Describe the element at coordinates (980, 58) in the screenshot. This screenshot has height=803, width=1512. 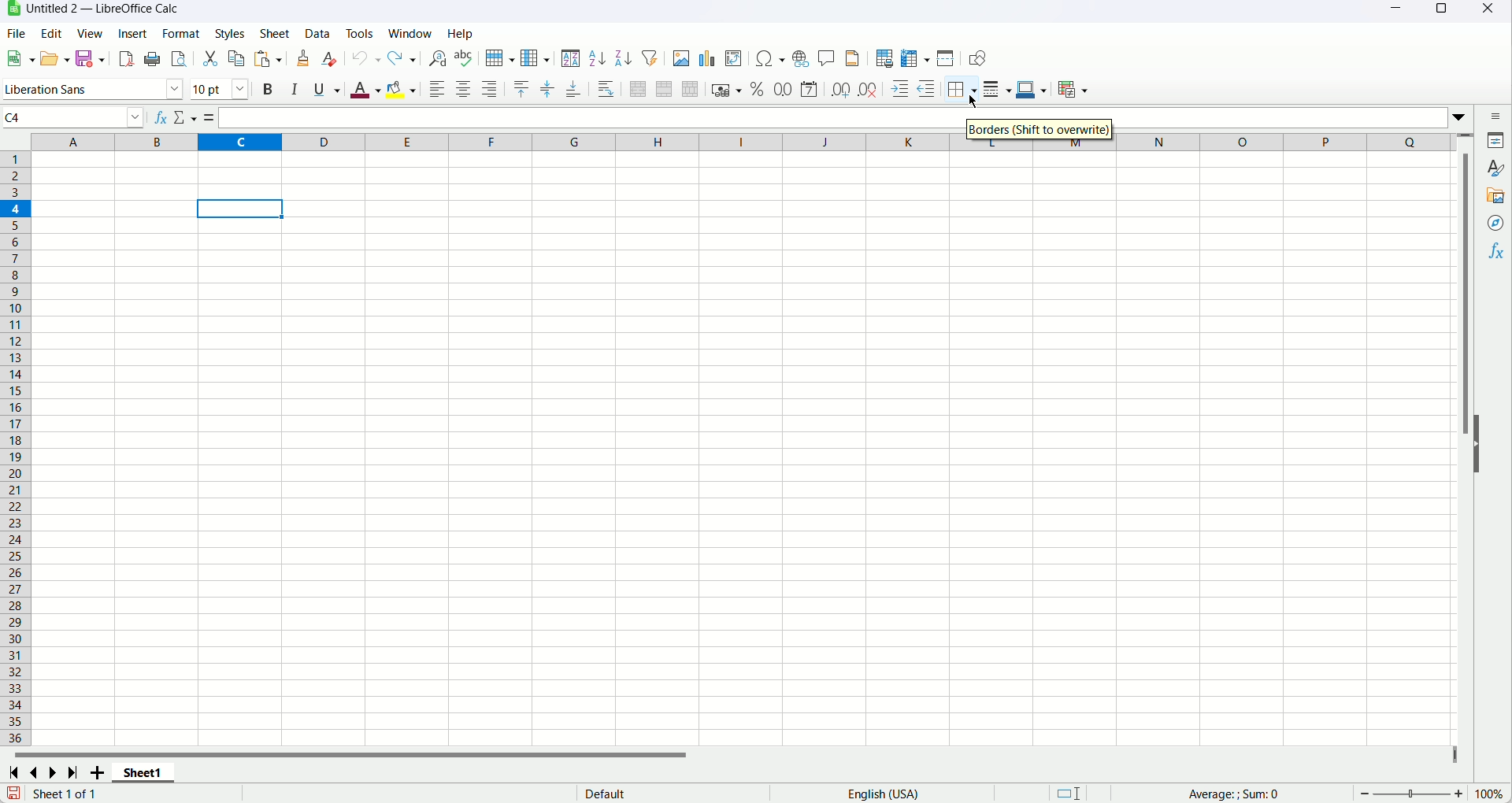
I see `Show draw functions` at that location.